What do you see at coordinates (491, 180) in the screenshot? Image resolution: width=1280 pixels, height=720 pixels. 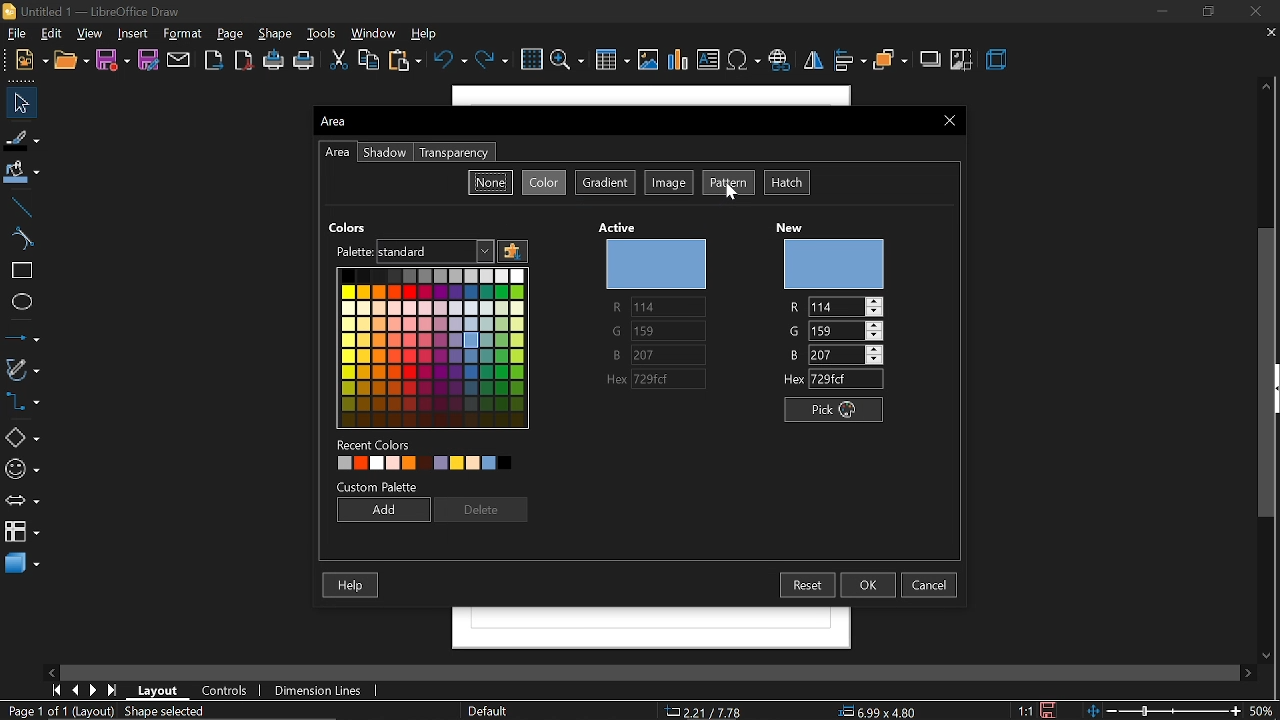 I see `none` at bounding box center [491, 180].